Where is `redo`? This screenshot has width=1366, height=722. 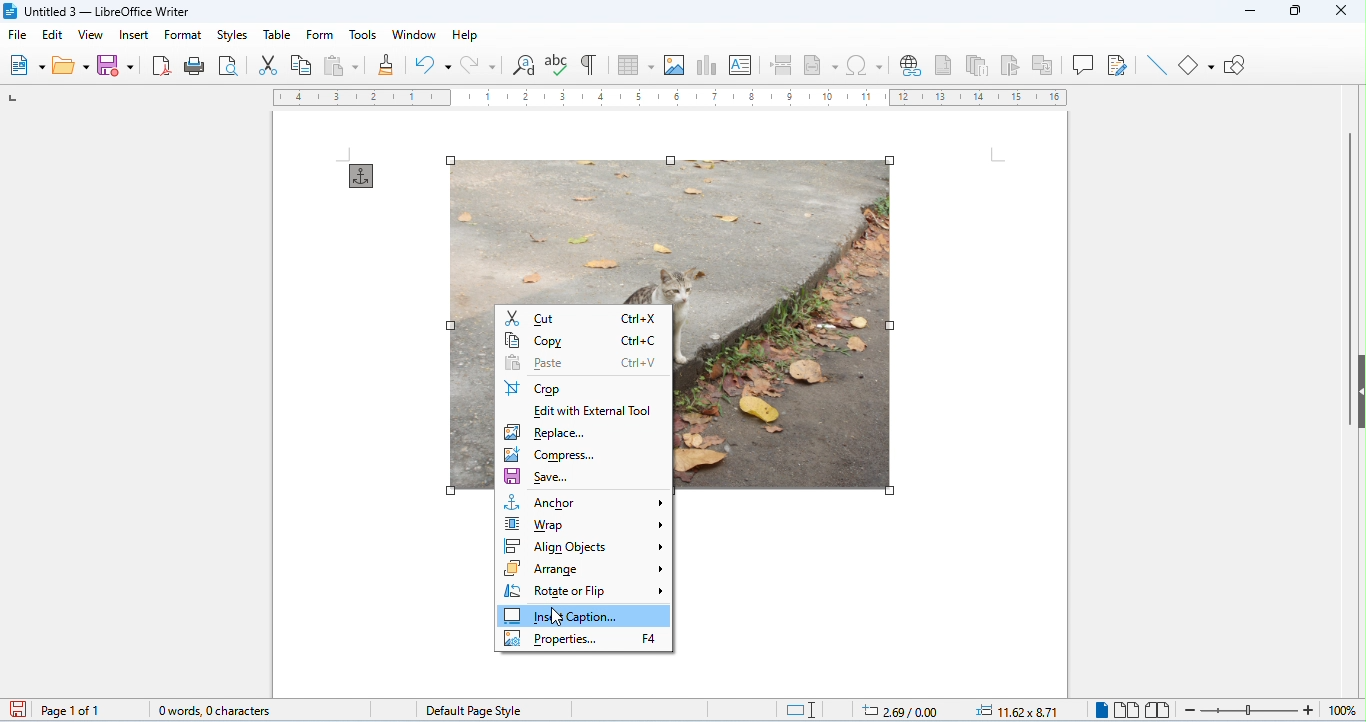
redo is located at coordinates (476, 64).